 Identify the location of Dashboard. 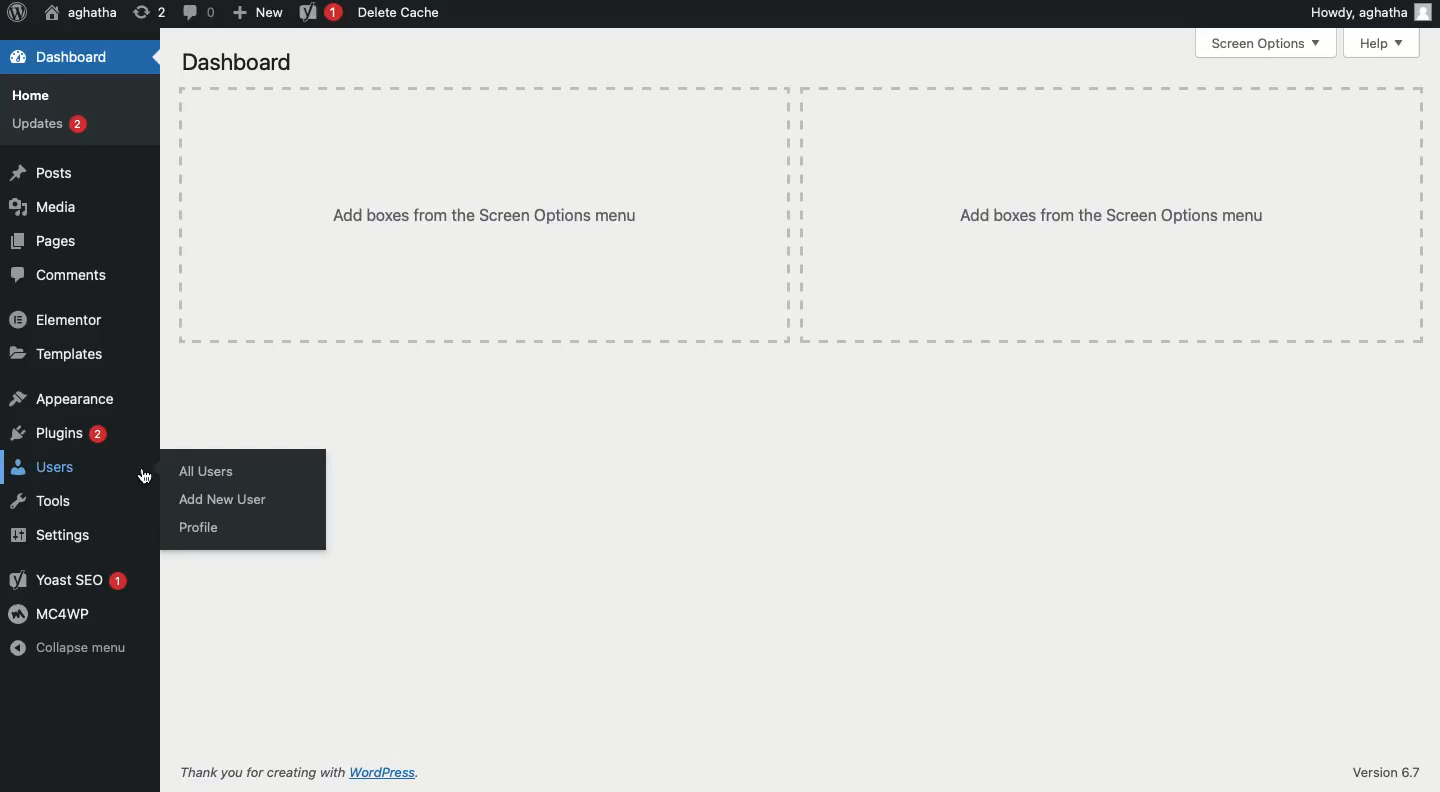
(68, 58).